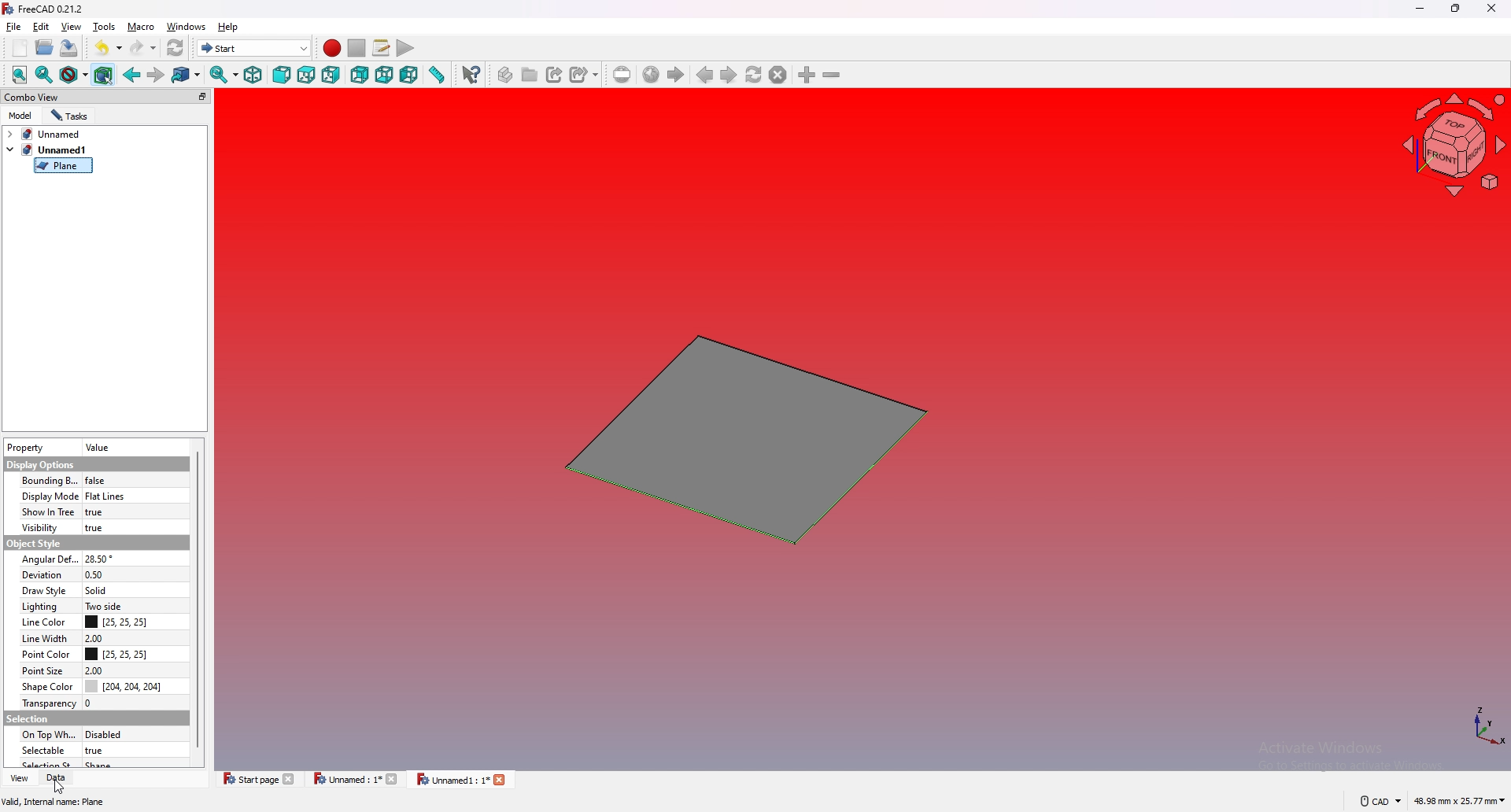 The image size is (1511, 812). Describe the element at coordinates (176, 49) in the screenshot. I see `refresh` at that location.